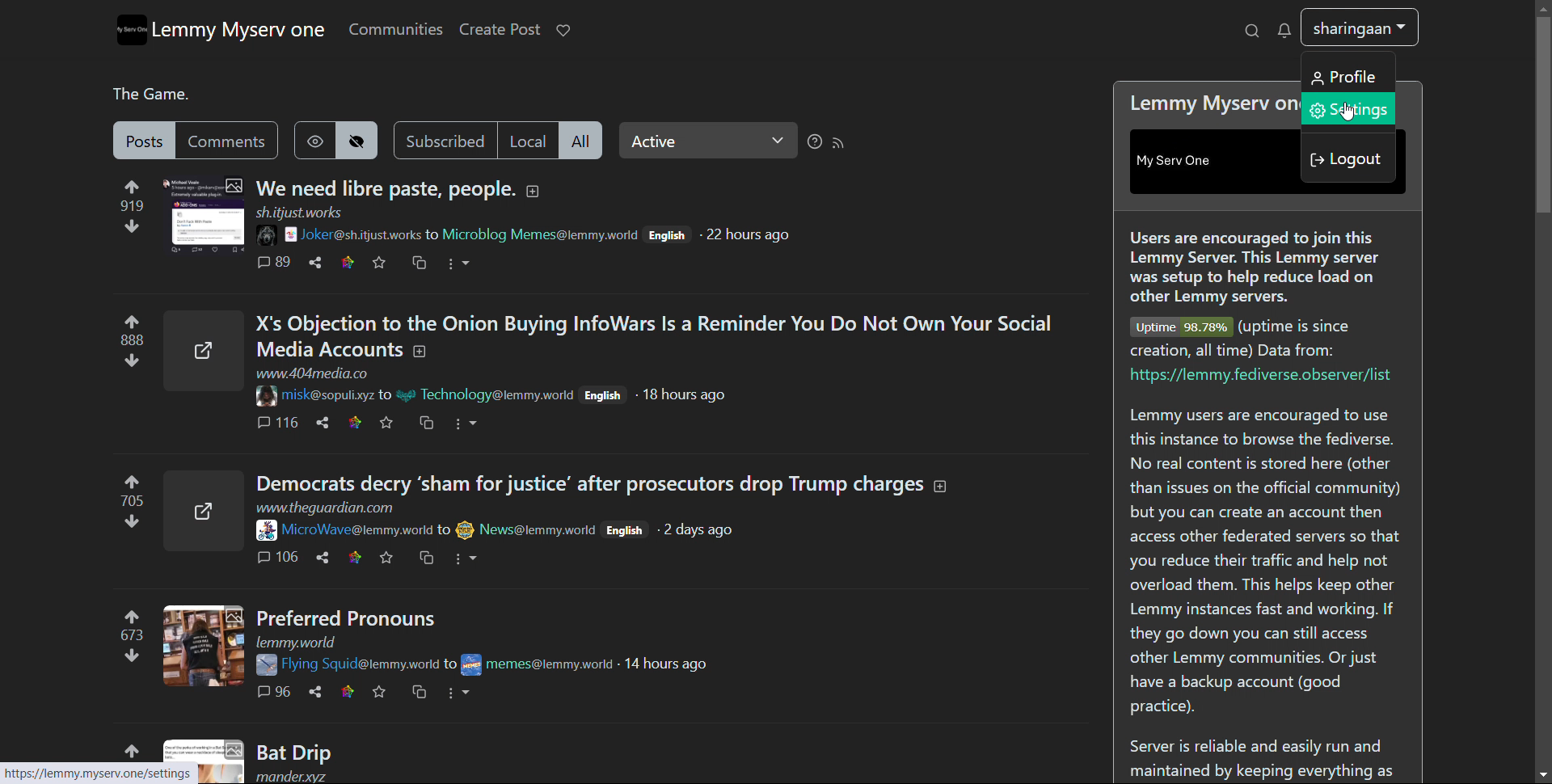 The width and height of the screenshot is (1552, 784). Describe the element at coordinates (704, 530) in the screenshot. I see `time of posting` at that location.